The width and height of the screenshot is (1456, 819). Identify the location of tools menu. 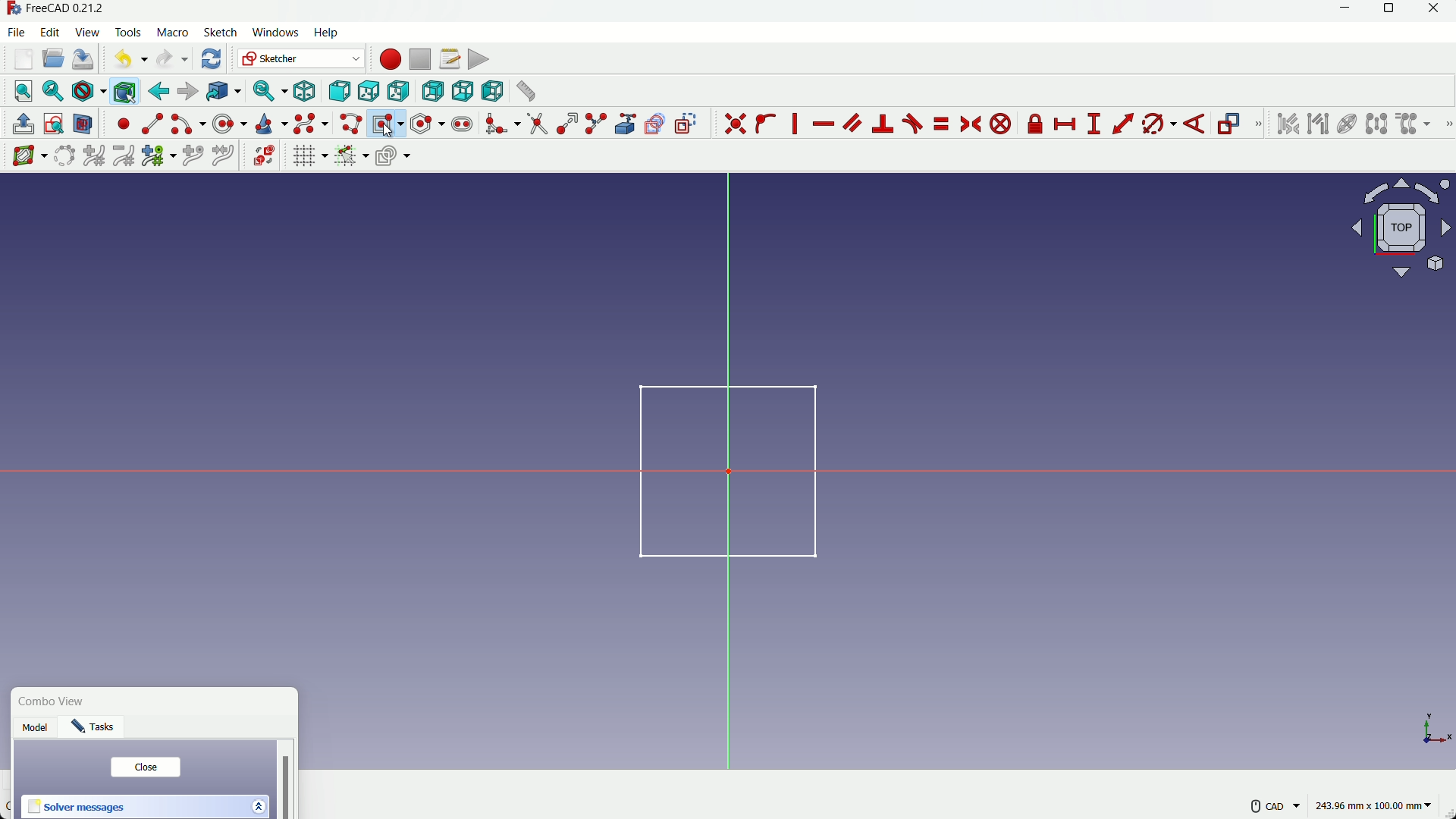
(129, 33).